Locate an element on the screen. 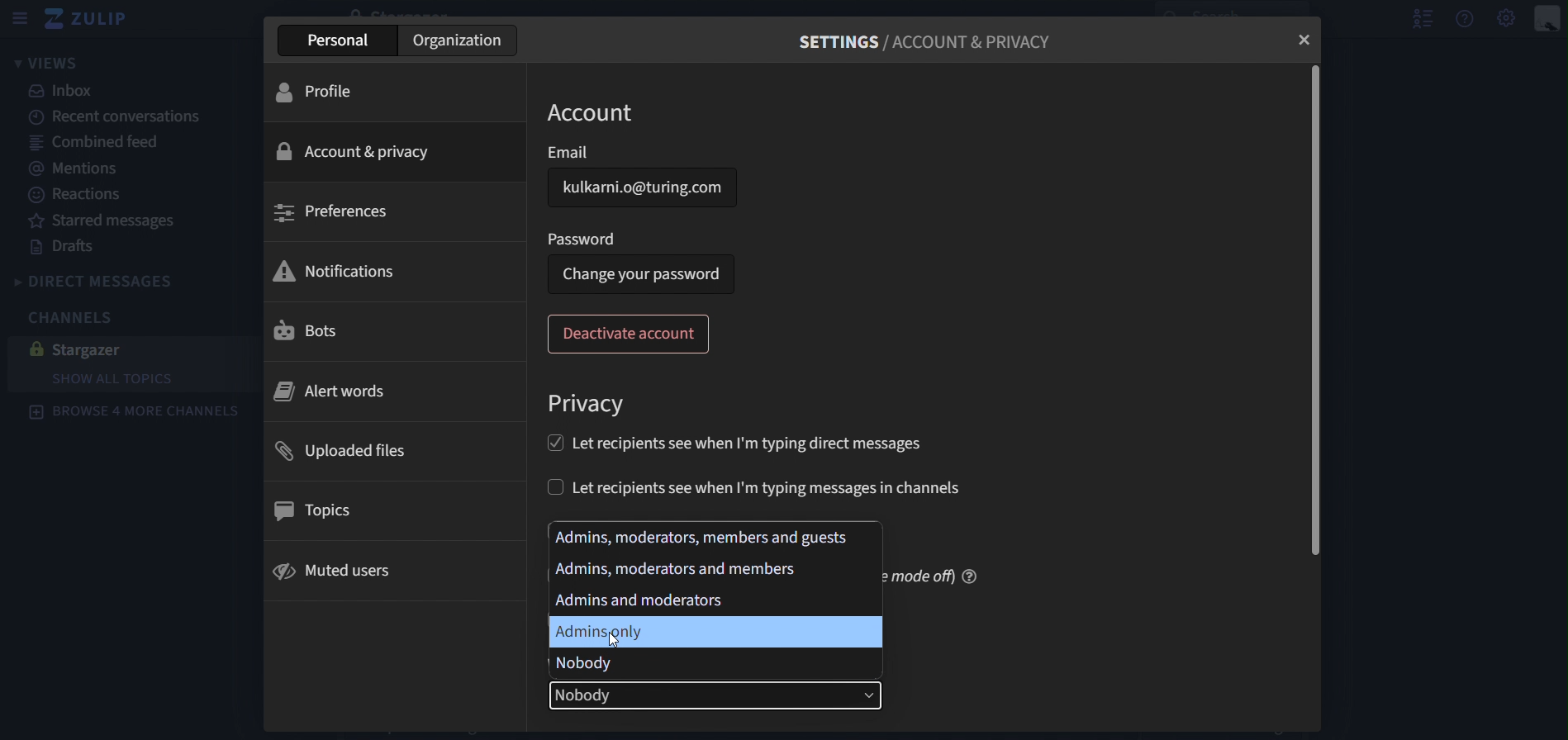  hide user list is located at coordinates (1417, 19).